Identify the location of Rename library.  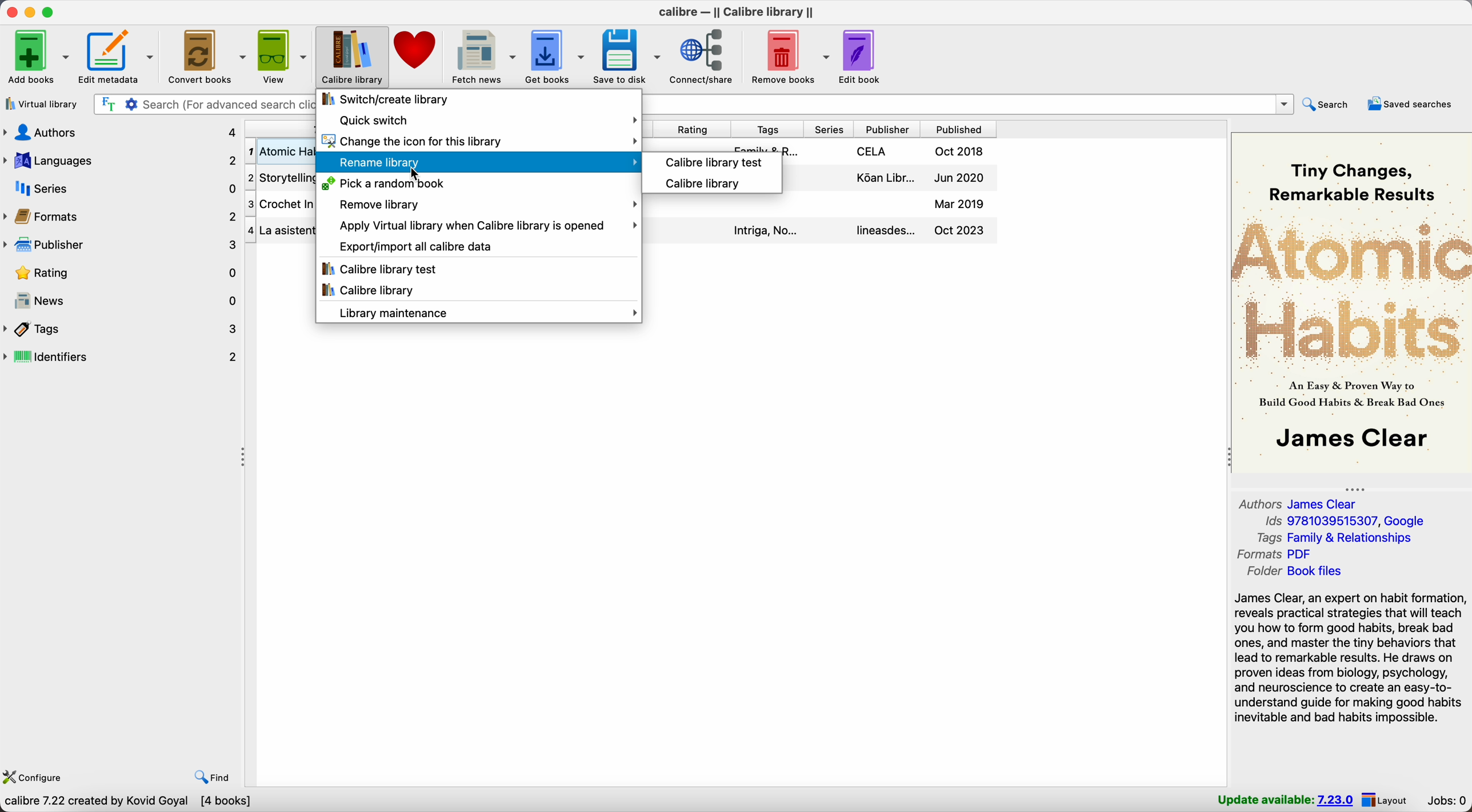
(477, 161).